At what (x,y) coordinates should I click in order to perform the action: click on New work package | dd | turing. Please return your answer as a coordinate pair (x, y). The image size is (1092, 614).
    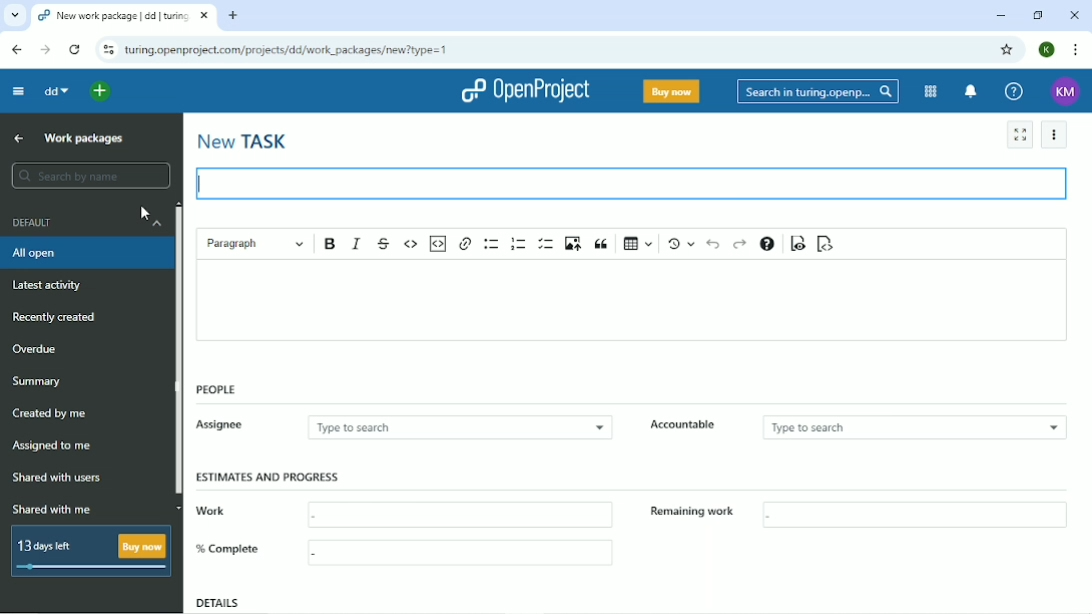
    Looking at the image, I should click on (113, 17).